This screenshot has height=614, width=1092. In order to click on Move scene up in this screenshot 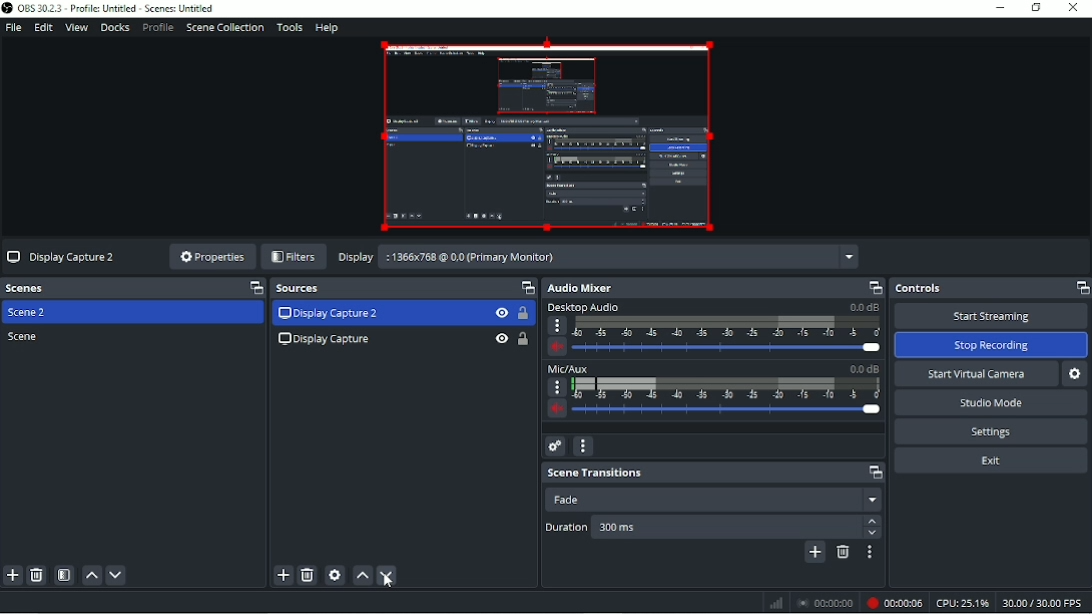, I will do `click(91, 575)`.